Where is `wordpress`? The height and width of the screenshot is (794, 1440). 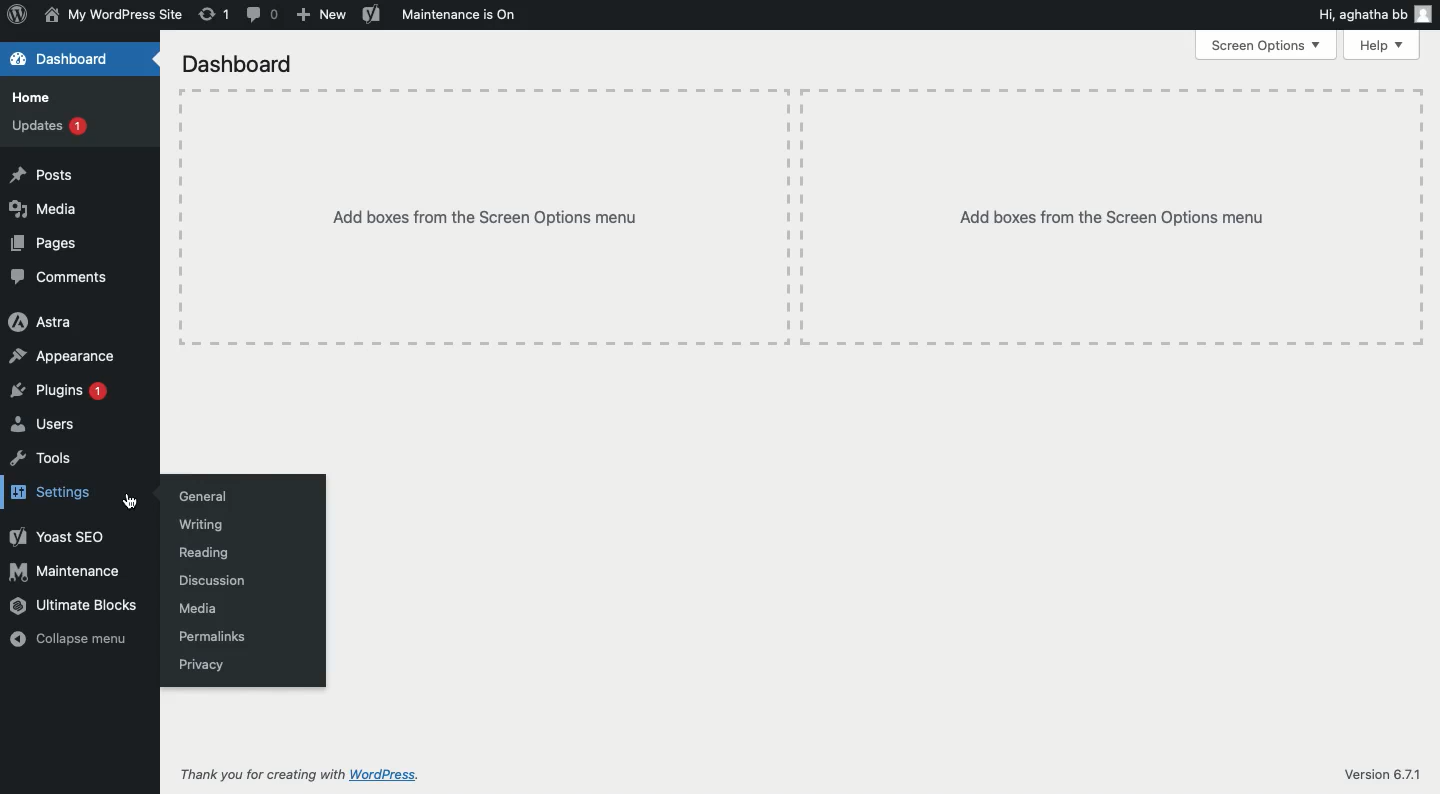 wordpress is located at coordinates (385, 776).